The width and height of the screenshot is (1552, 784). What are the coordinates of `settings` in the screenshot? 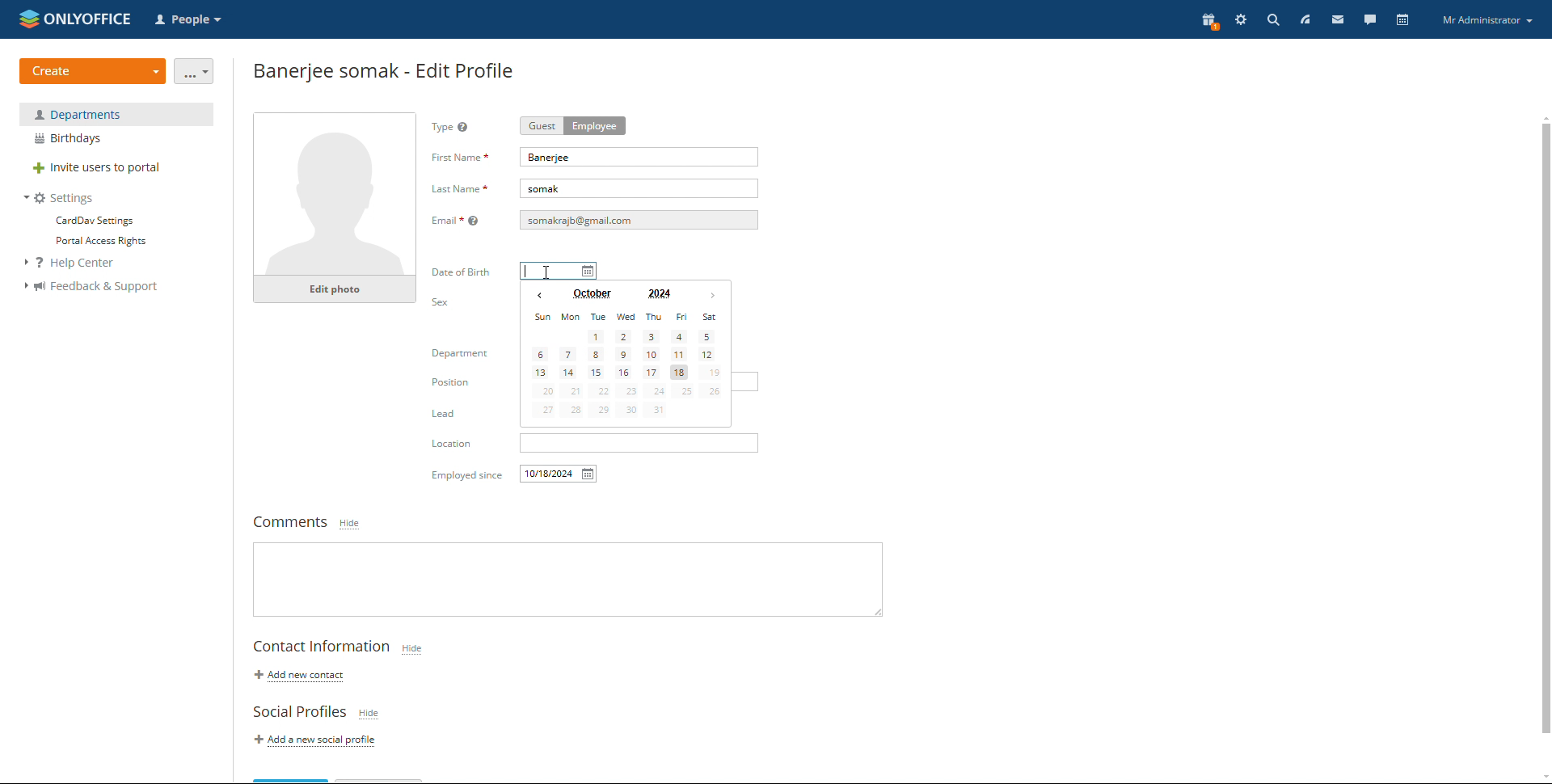 It's located at (60, 198).